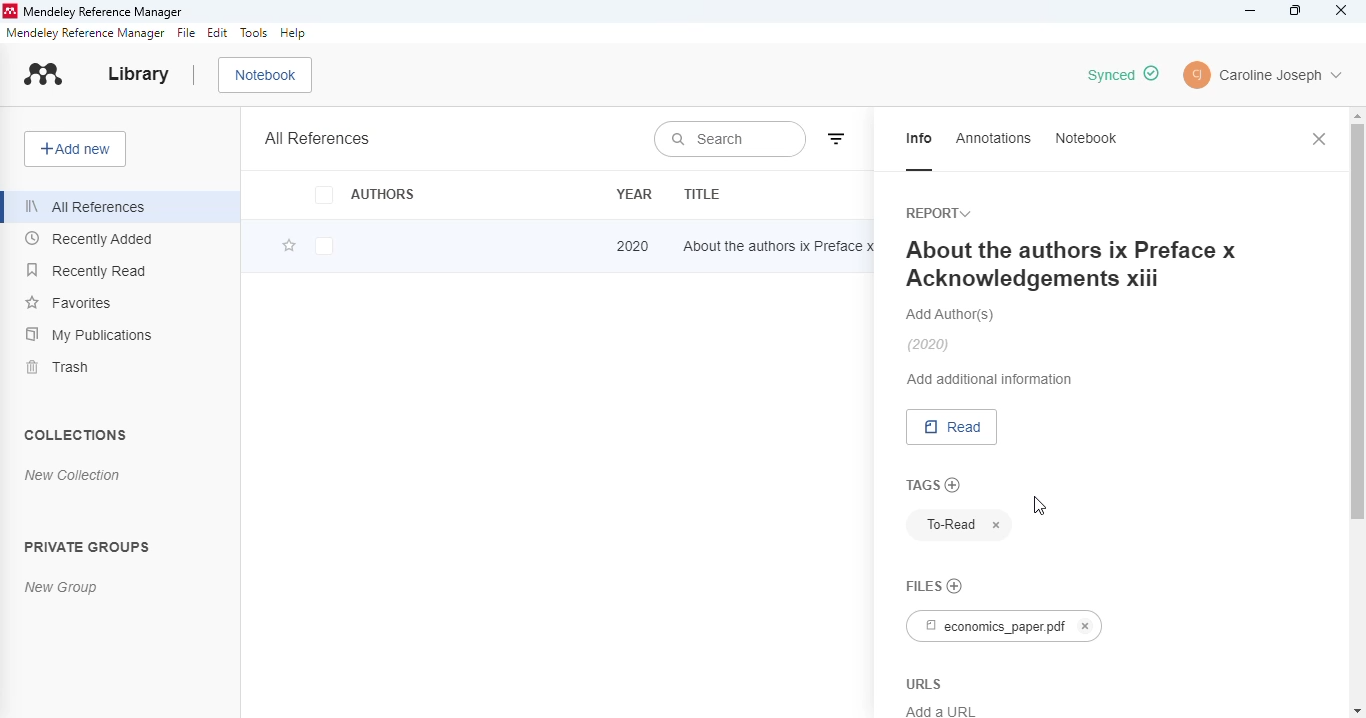  What do you see at coordinates (952, 427) in the screenshot?
I see `read` at bounding box center [952, 427].